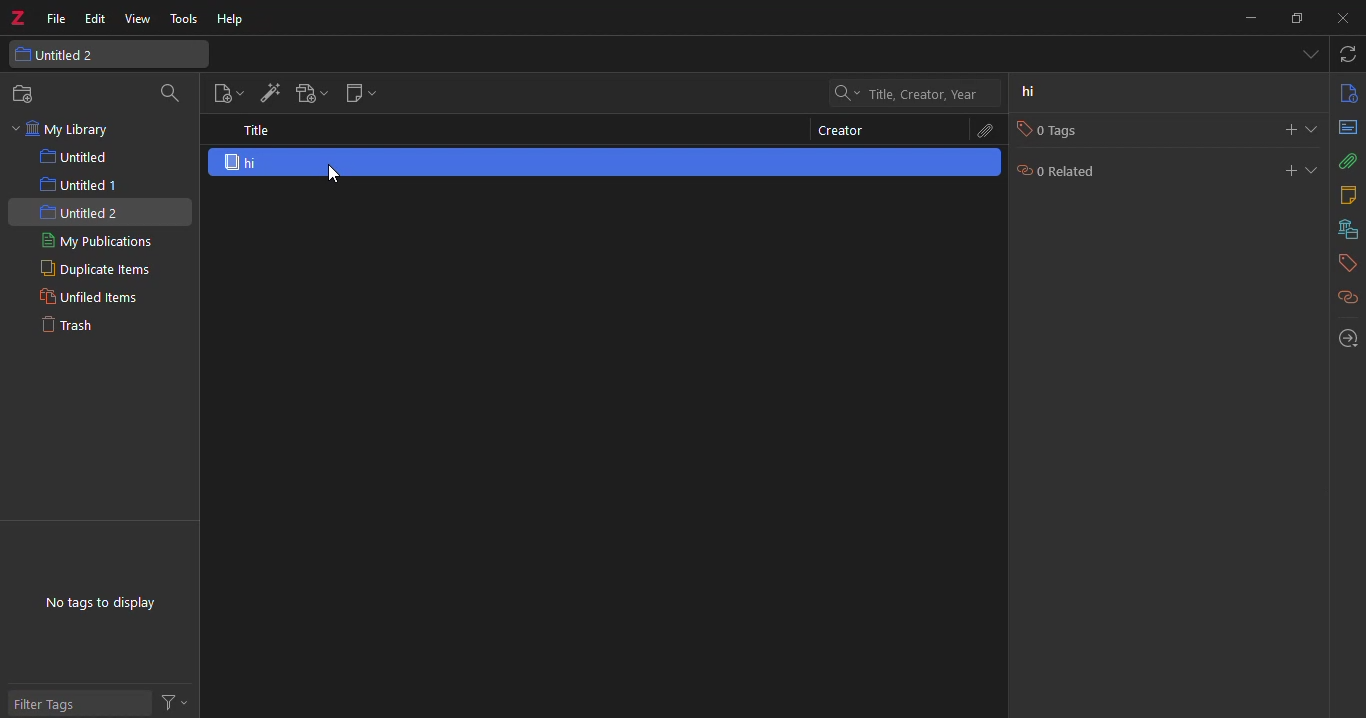  I want to click on 0 tags, so click(1050, 131).